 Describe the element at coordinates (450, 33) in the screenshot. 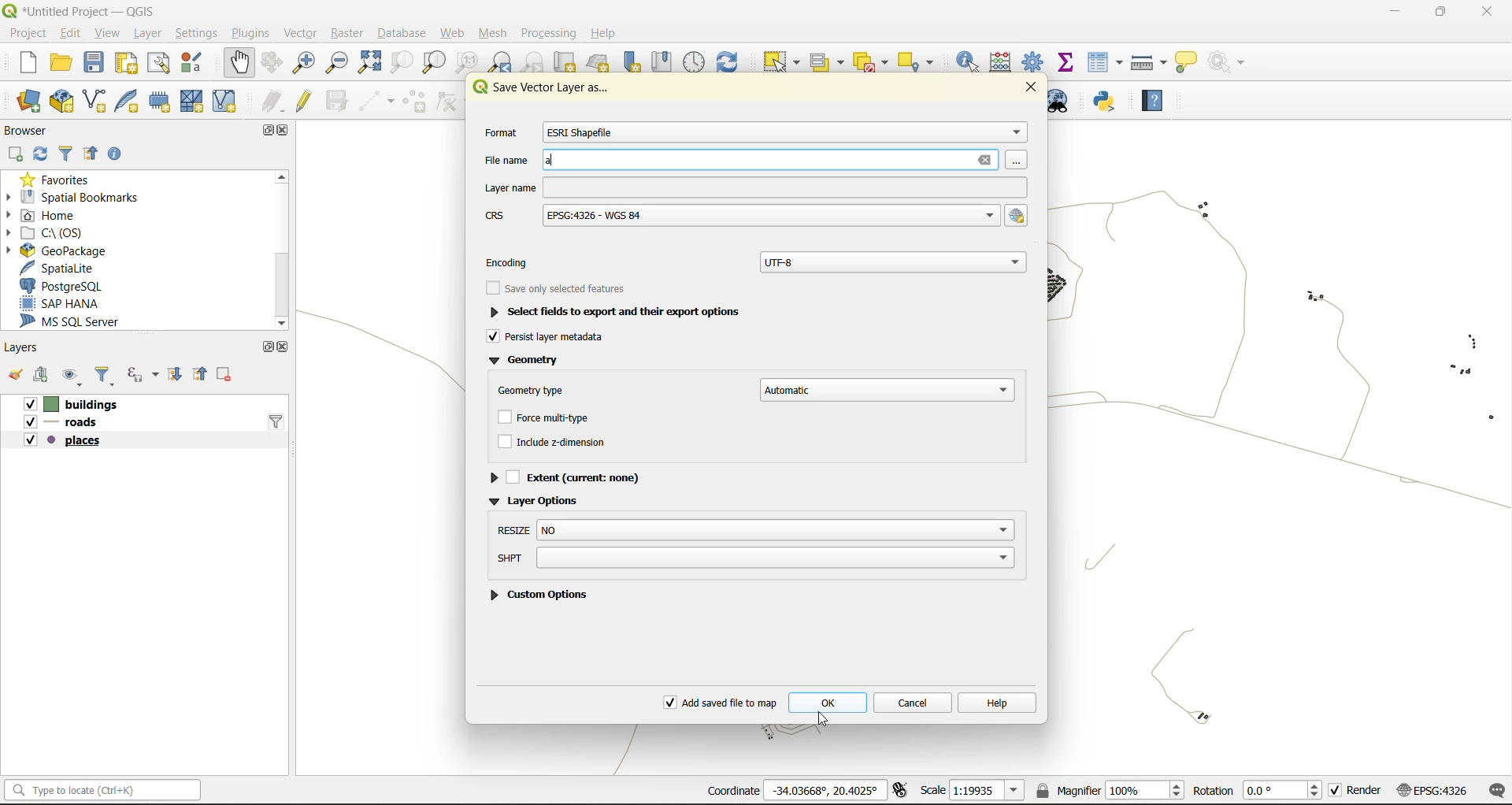

I see `web` at that location.